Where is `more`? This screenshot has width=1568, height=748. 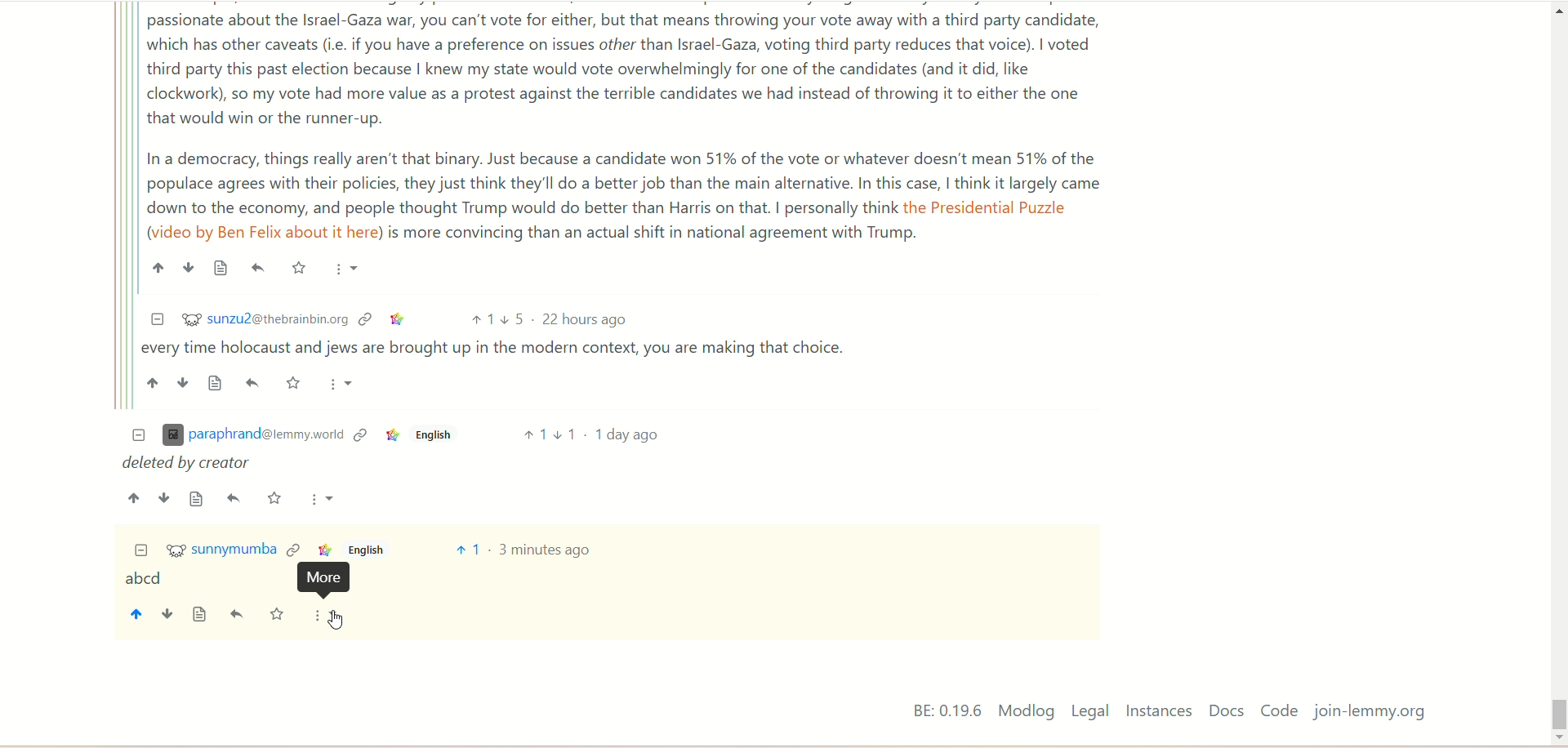 more is located at coordinates (329, 579).